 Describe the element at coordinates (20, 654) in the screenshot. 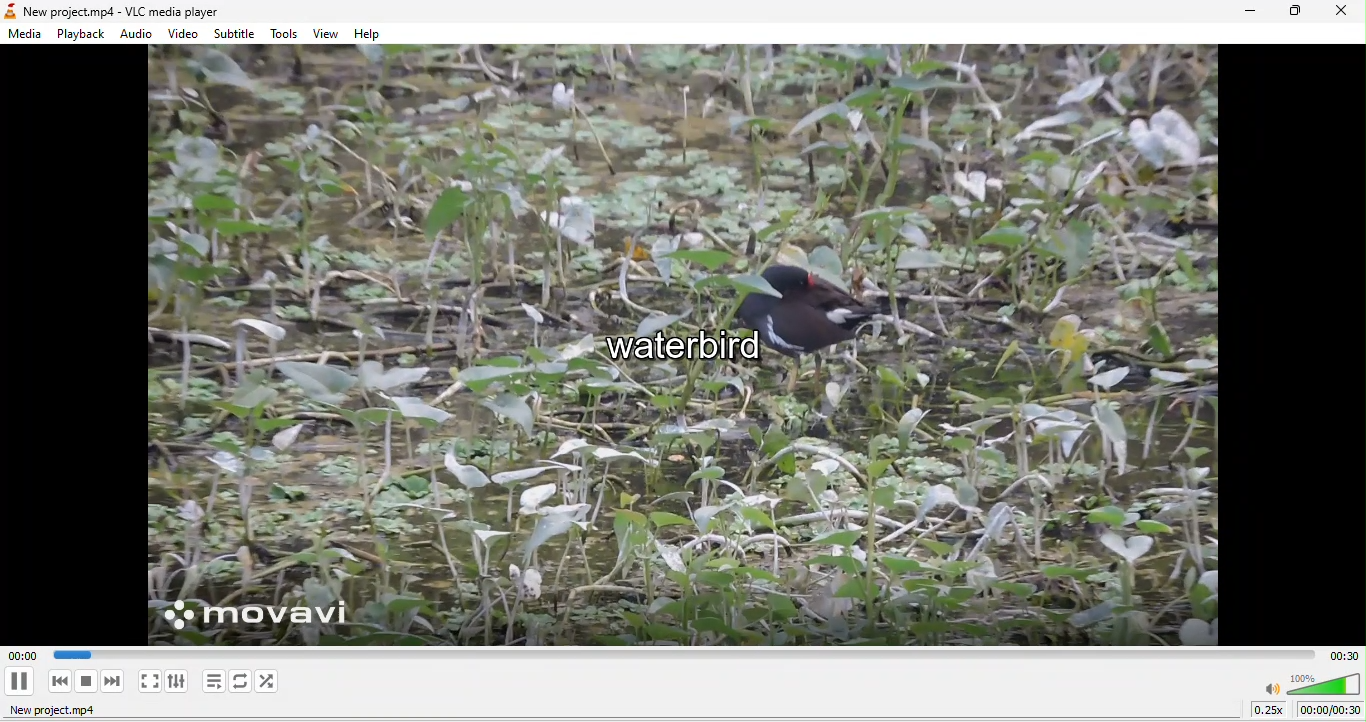

I see `elapsed time` at that location.